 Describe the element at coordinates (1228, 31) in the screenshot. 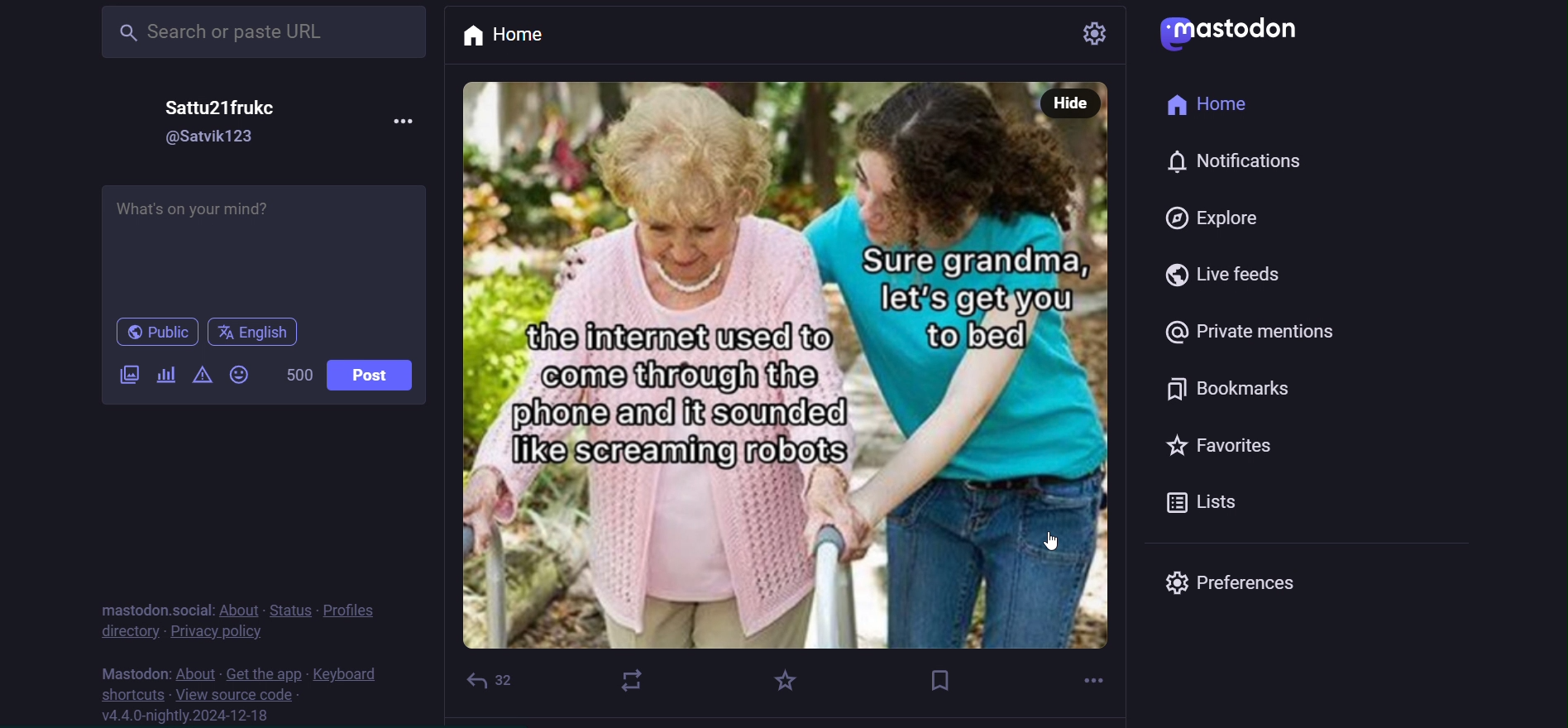

I see `logo` at that location.